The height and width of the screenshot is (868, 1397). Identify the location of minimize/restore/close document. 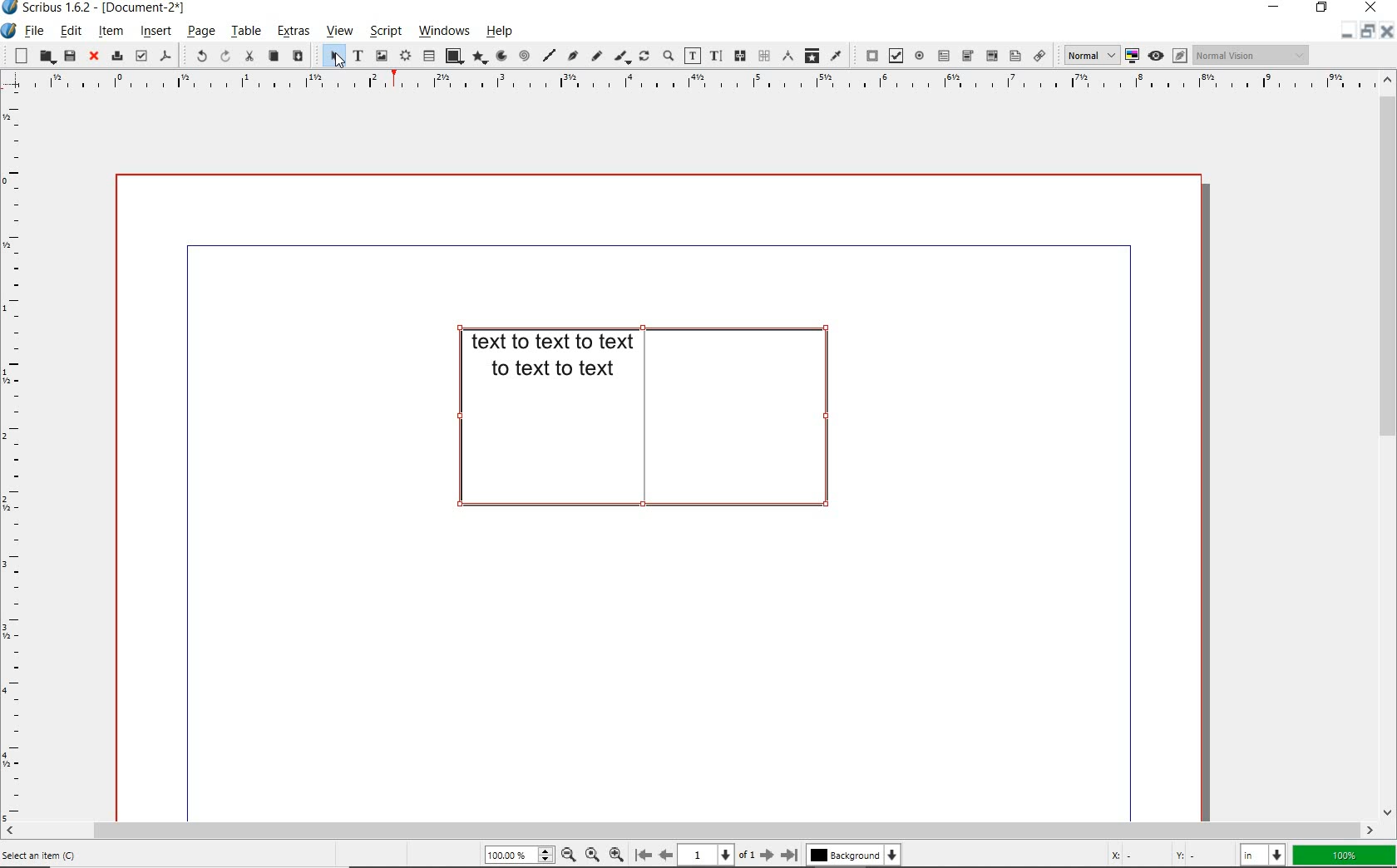
(1368, 31).